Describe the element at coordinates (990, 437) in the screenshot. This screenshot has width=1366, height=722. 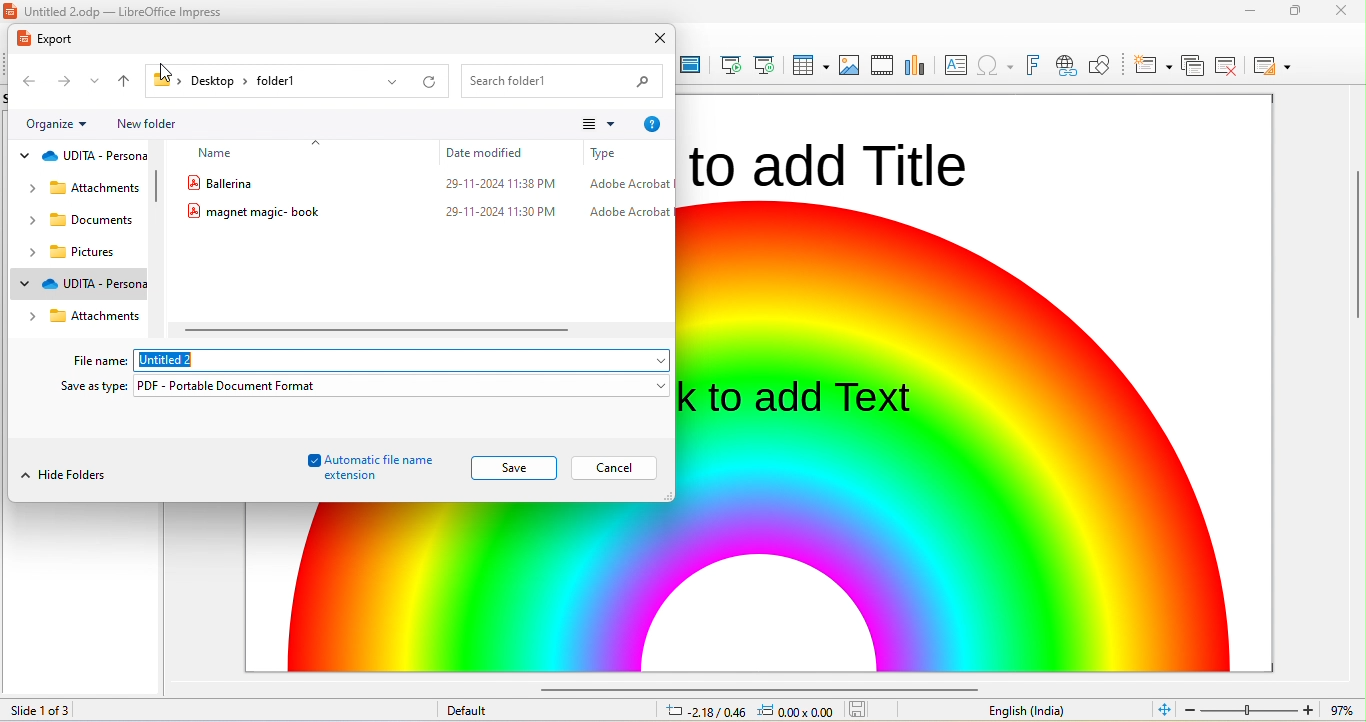
I see `rainbow theme` at that location.